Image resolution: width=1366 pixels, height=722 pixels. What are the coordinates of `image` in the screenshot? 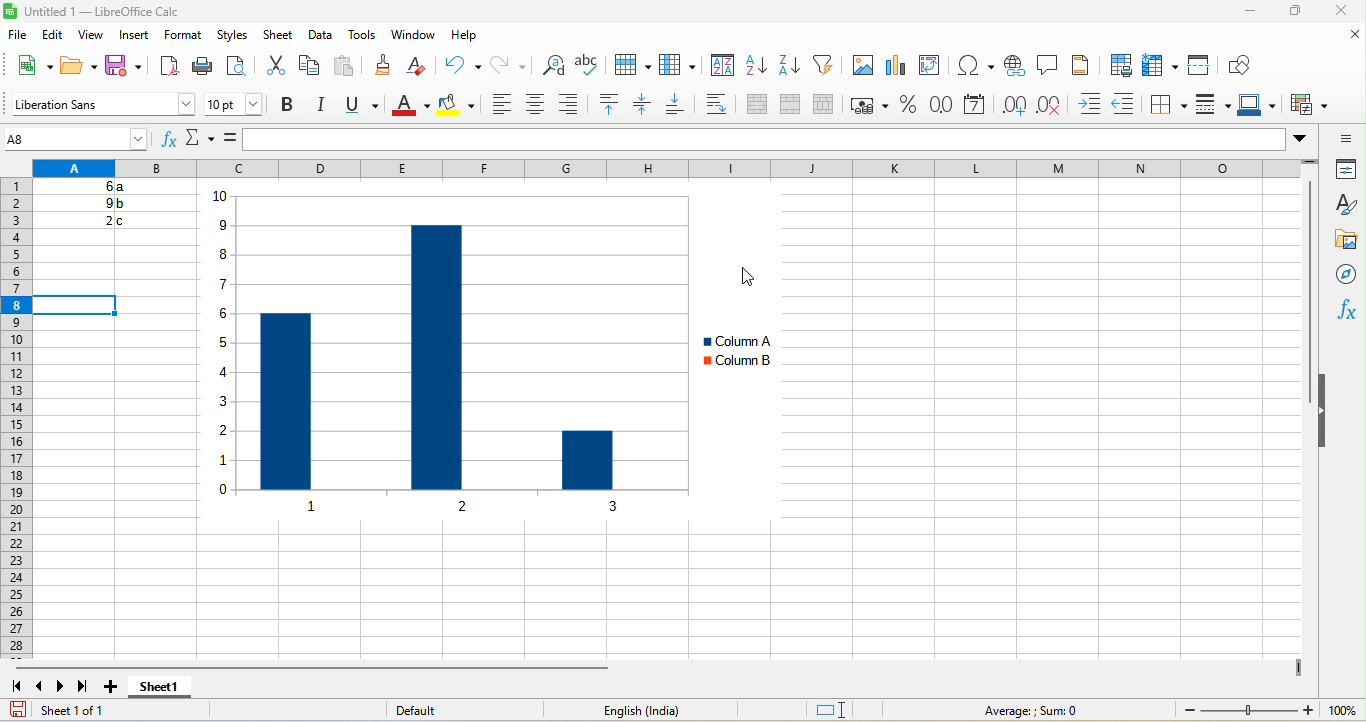 It's located at (860, 68).